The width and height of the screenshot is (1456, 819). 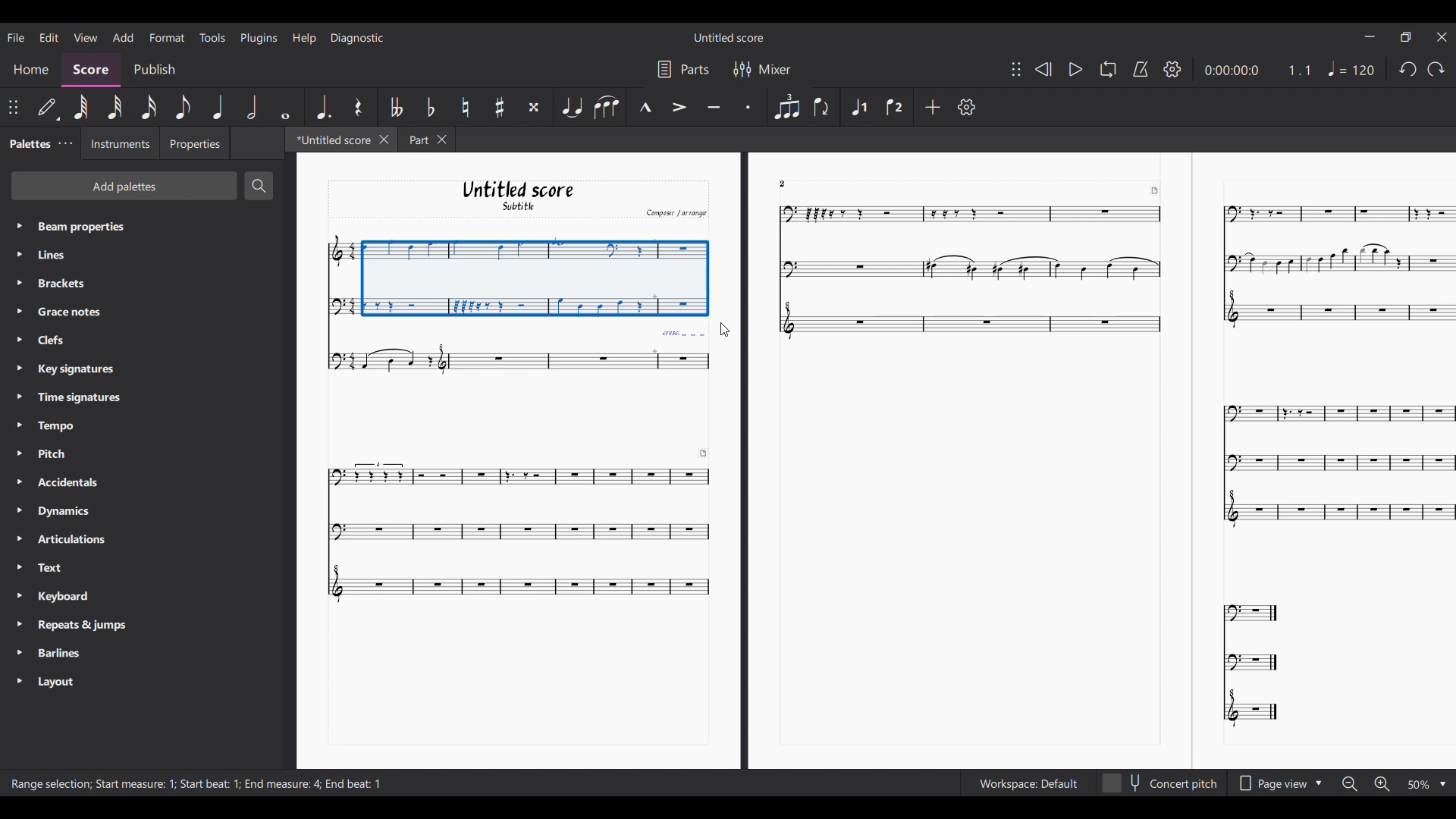 I want to click on Time Signatures, so click(x=79, y=397).